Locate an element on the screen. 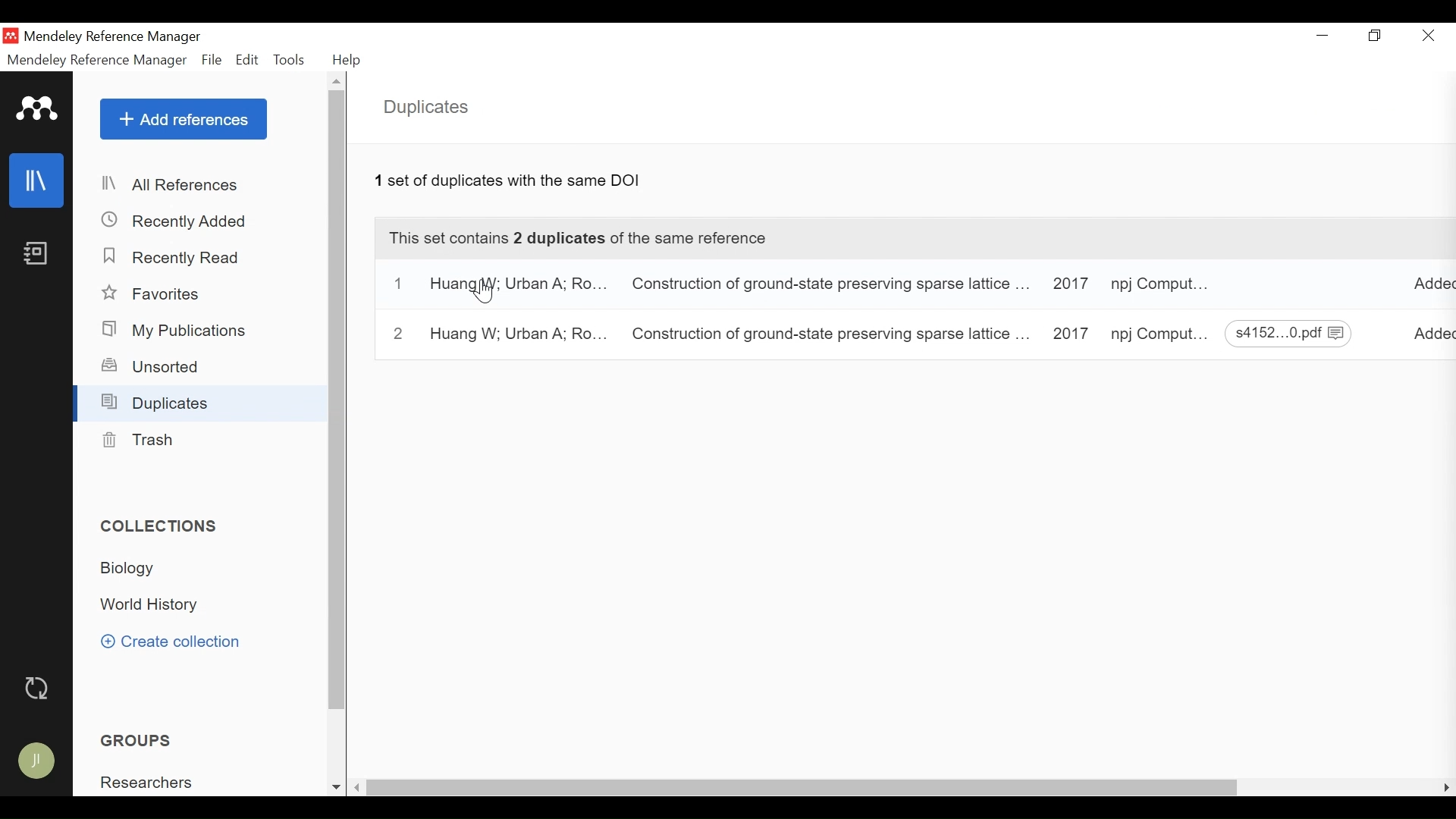 This screenshot has width=1456, height=819. My Publications is located at coordinates (174, 331).